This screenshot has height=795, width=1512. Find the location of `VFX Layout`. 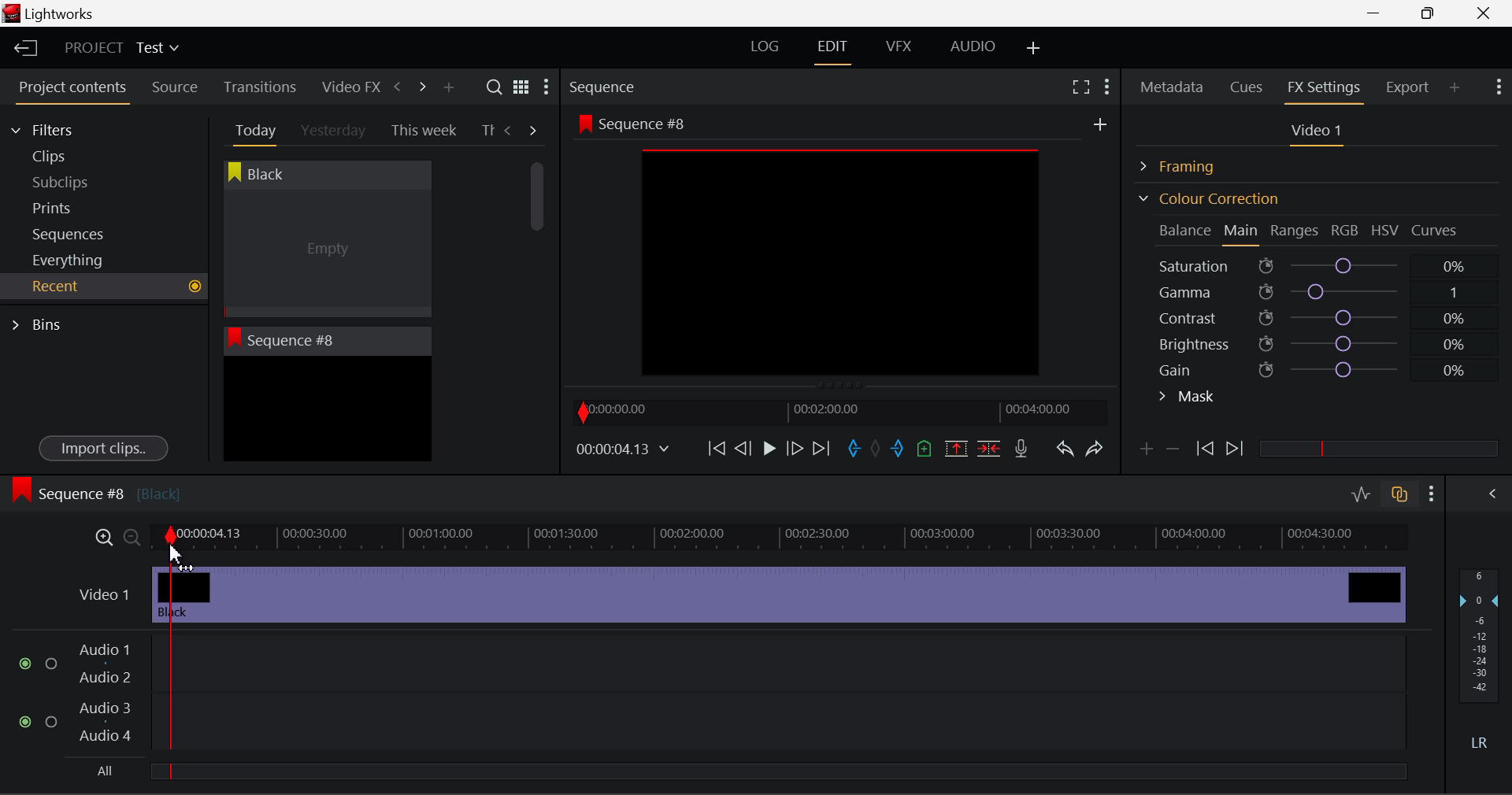

VFX Layout is located at coordinates (902, 48).